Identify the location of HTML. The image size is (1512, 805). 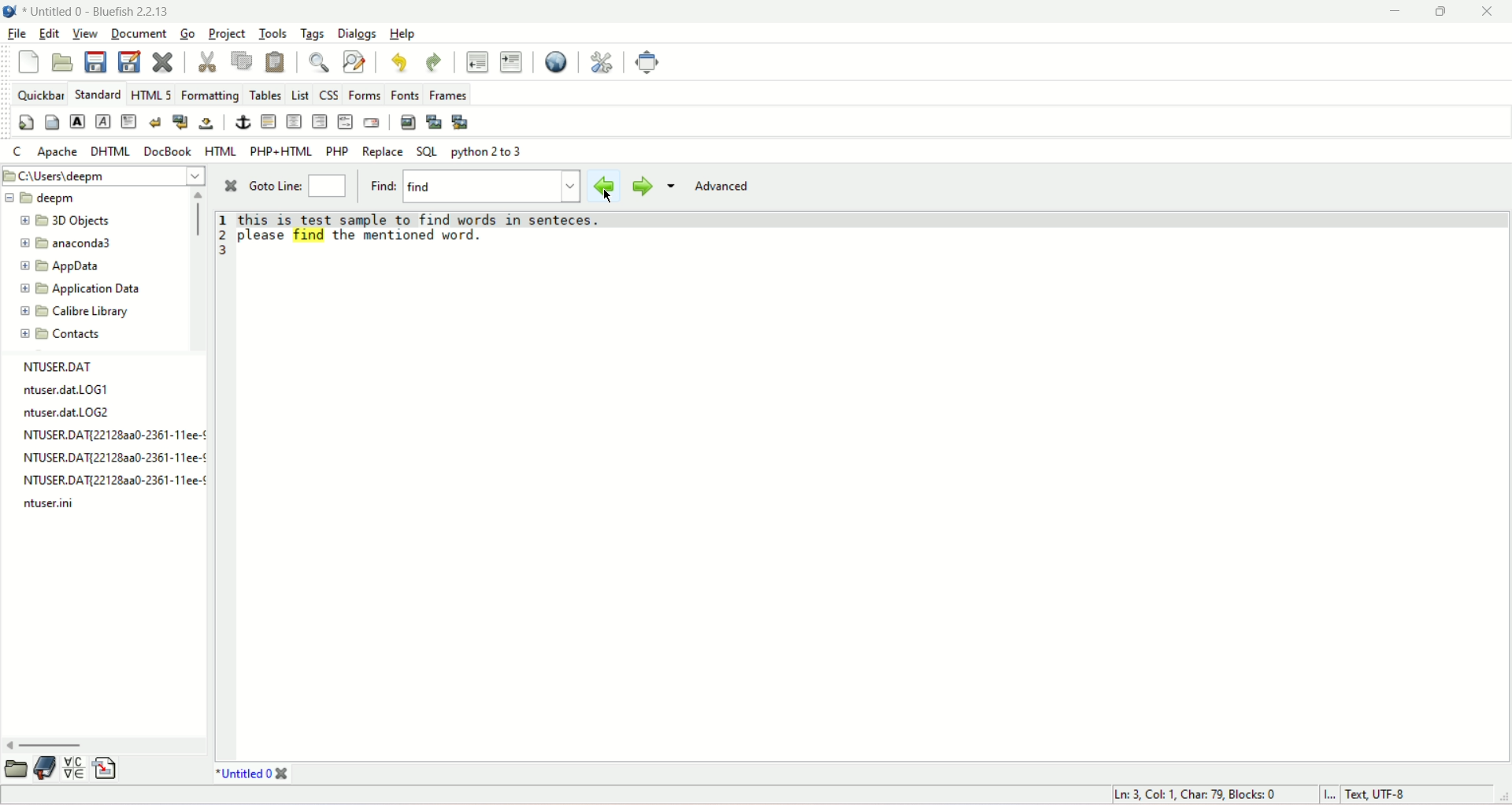
(220, 151).